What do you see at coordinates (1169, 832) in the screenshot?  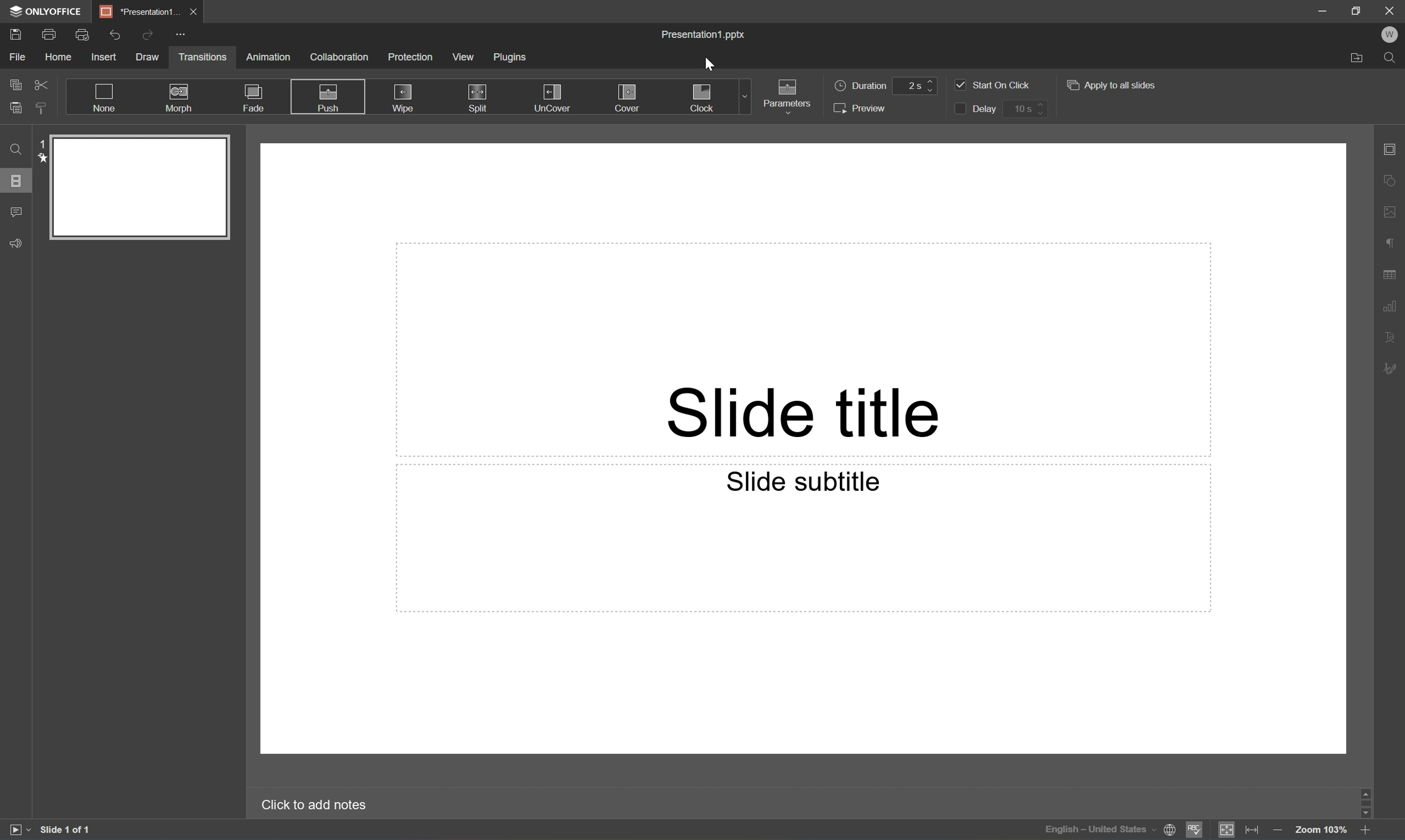 I see `Set document language` at bounding box center [1169, 832].